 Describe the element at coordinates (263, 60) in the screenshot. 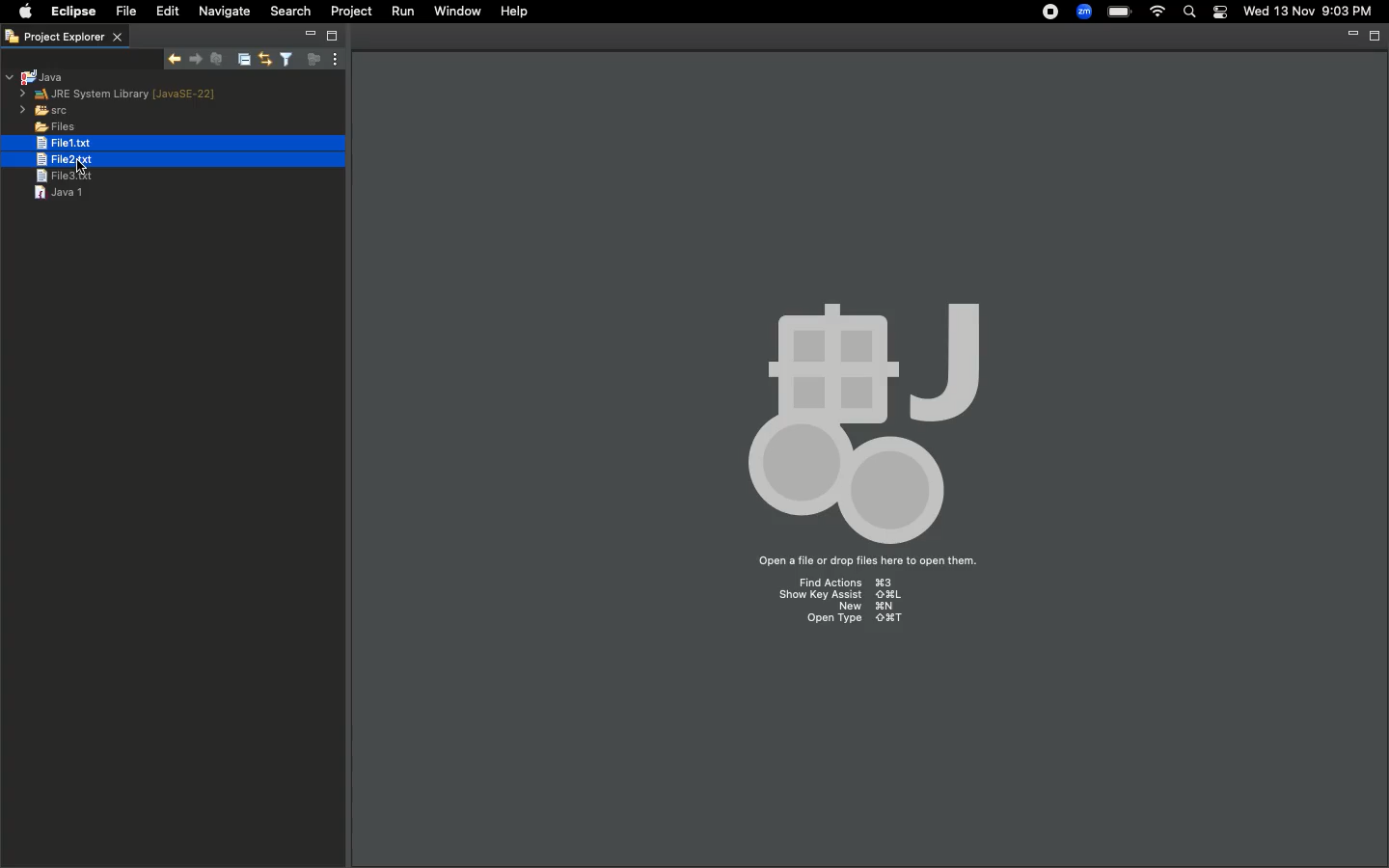

I see `Link with editor` at that location.